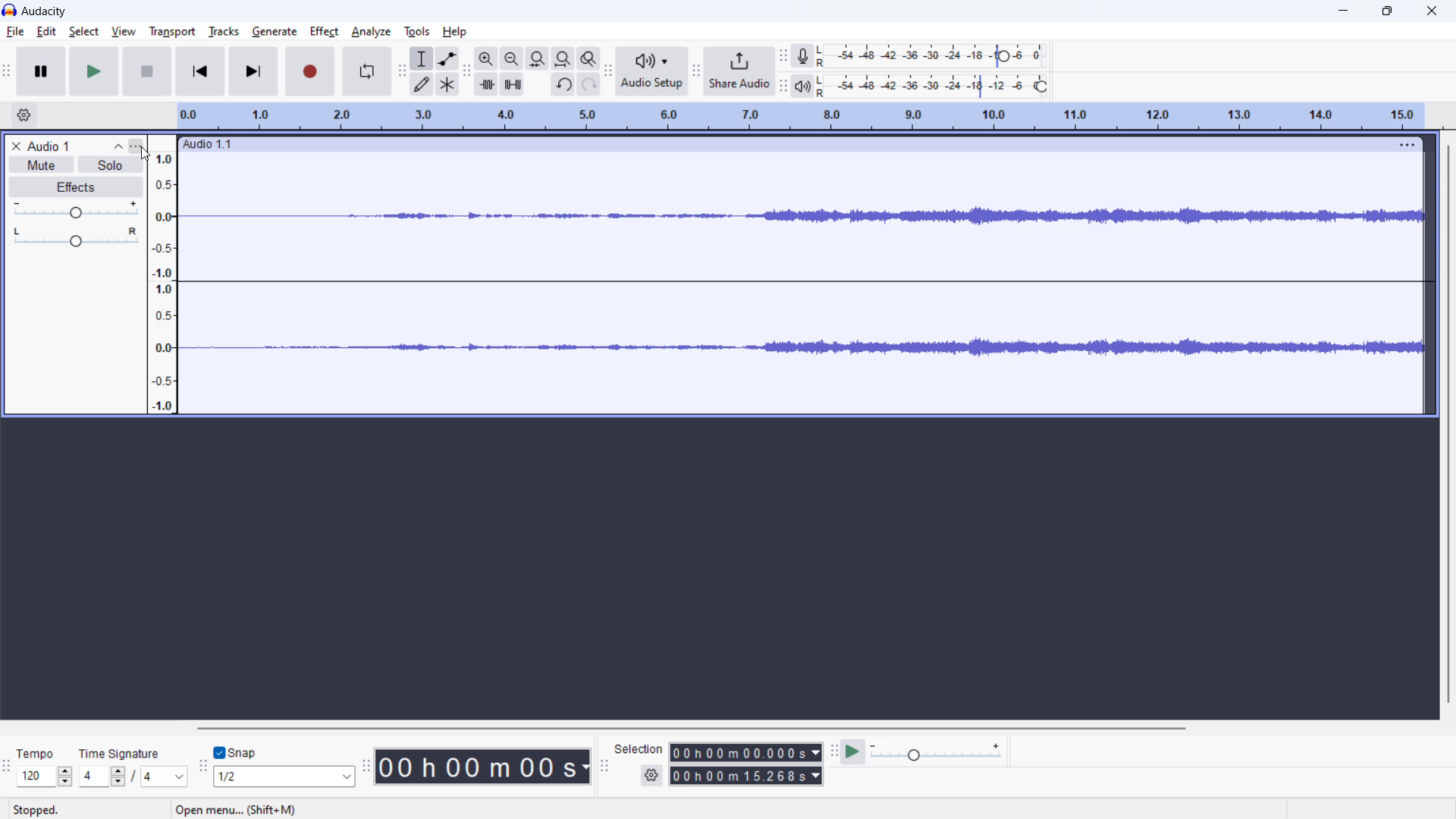 The height and width of the screenshot is (819, 1456). I want to click on edit, so click(47, 32).